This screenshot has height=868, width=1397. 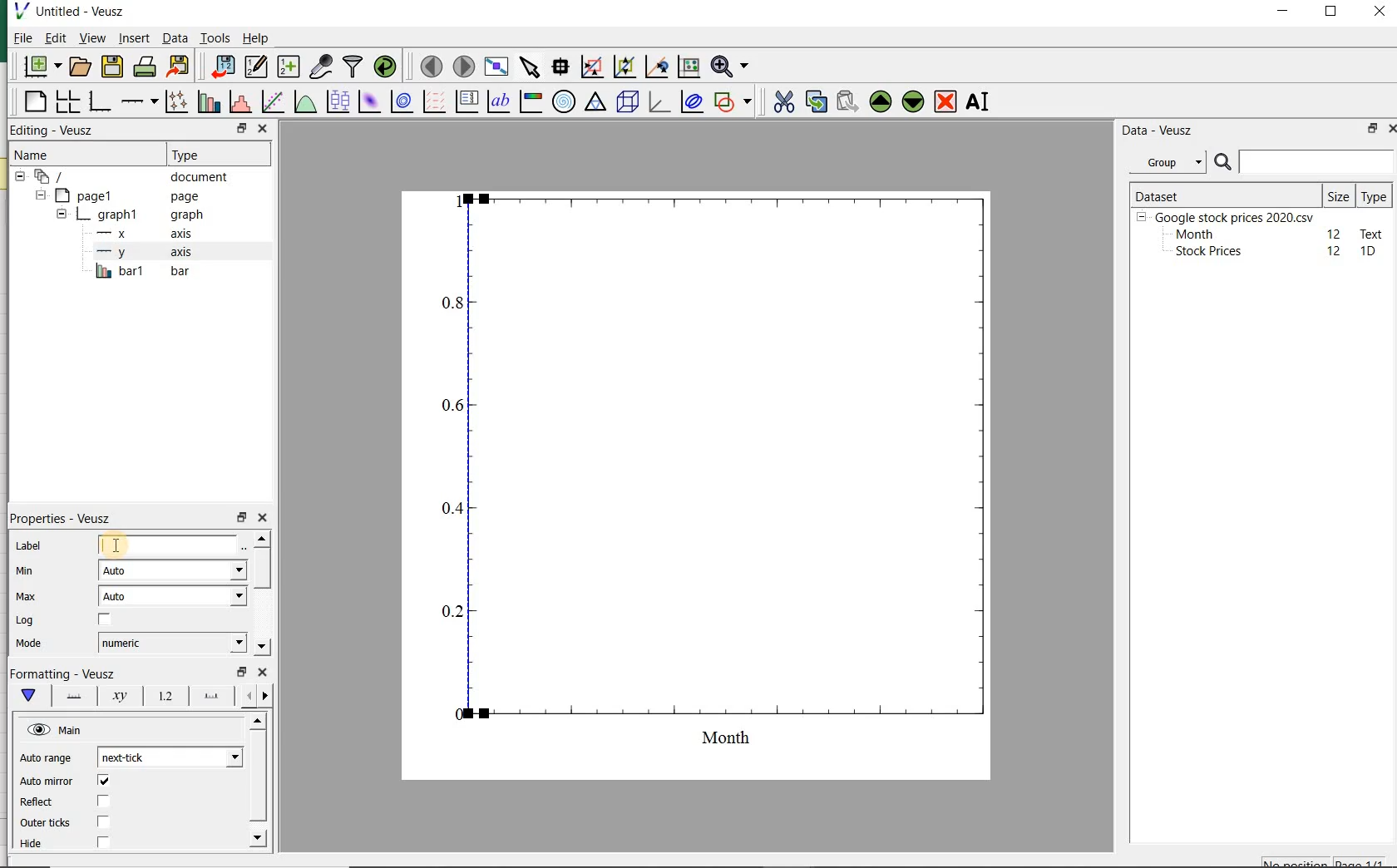 I want to click on minimize, so click(x=1284, y=12).